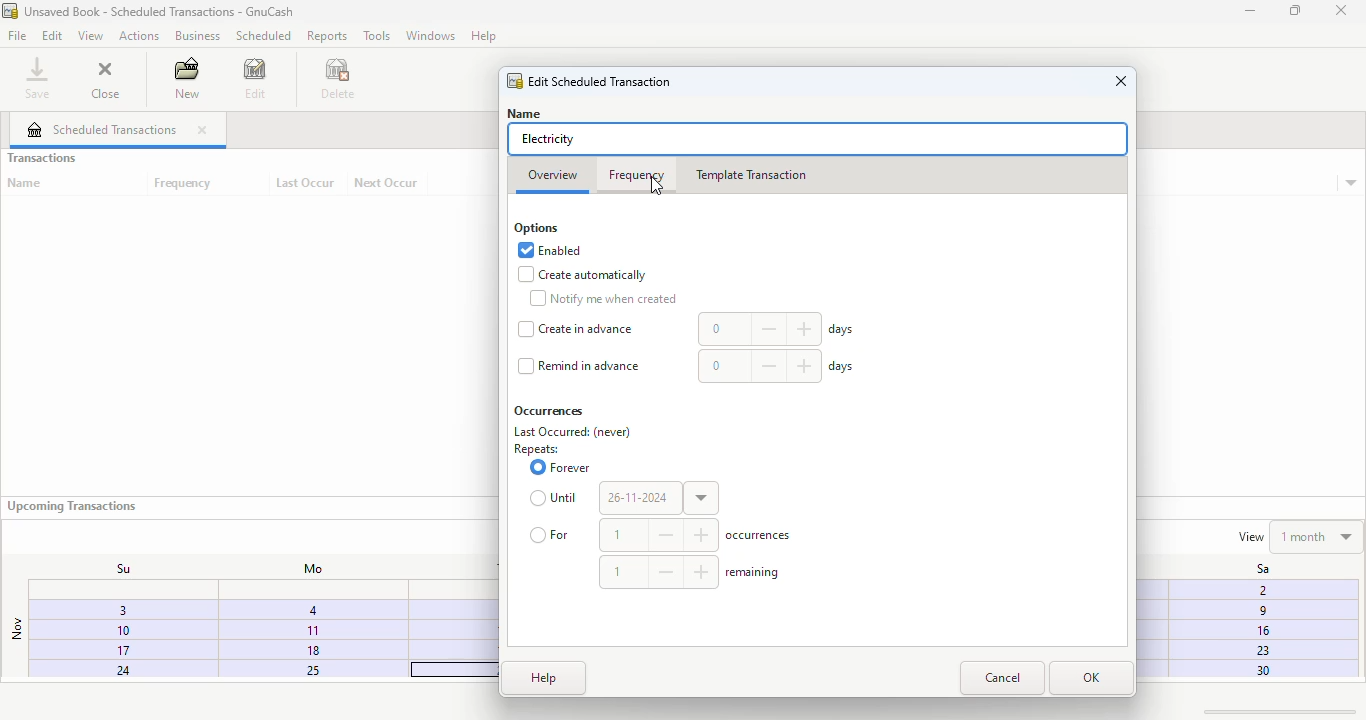  What do you see at coordinates (1295, 10) in the screenshot?
I see `maximize` at bounding box center [1295, 10].